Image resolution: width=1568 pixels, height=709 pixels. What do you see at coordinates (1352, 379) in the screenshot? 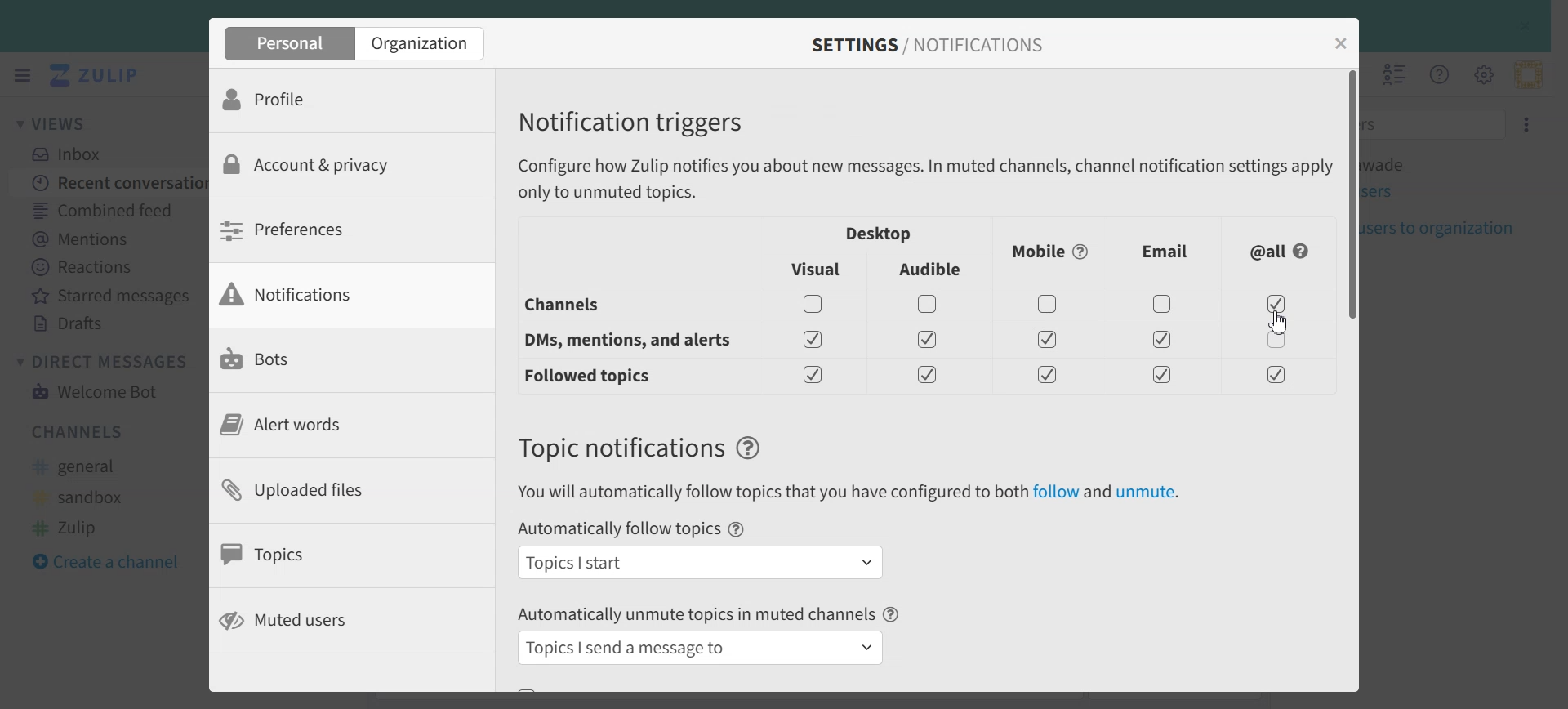
I see `Vertical scroll bar` at bounding box center [1352, 379].